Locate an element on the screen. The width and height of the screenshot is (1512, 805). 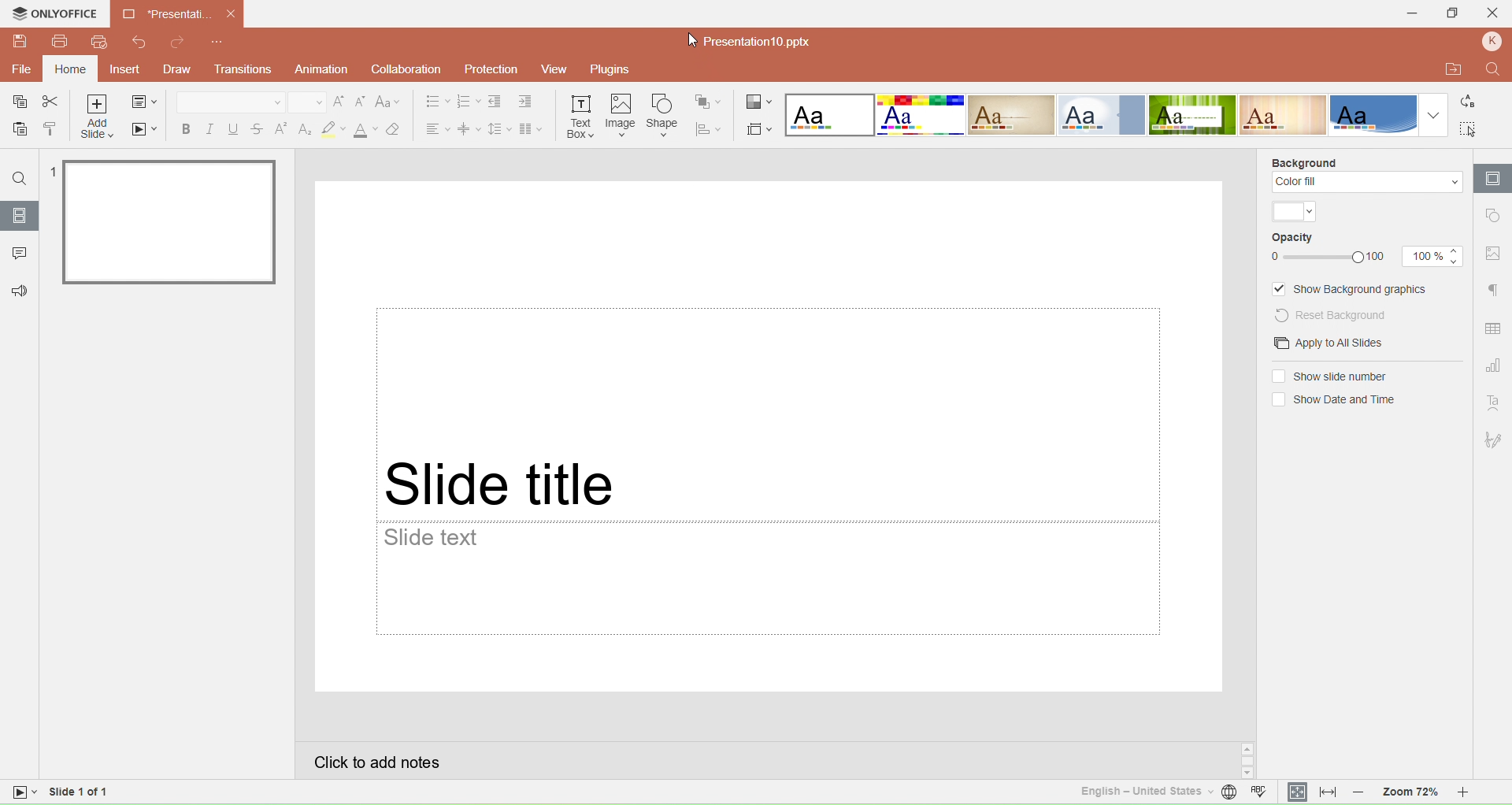
(un)select Show background graphics is located at coordinates (1352, 289).